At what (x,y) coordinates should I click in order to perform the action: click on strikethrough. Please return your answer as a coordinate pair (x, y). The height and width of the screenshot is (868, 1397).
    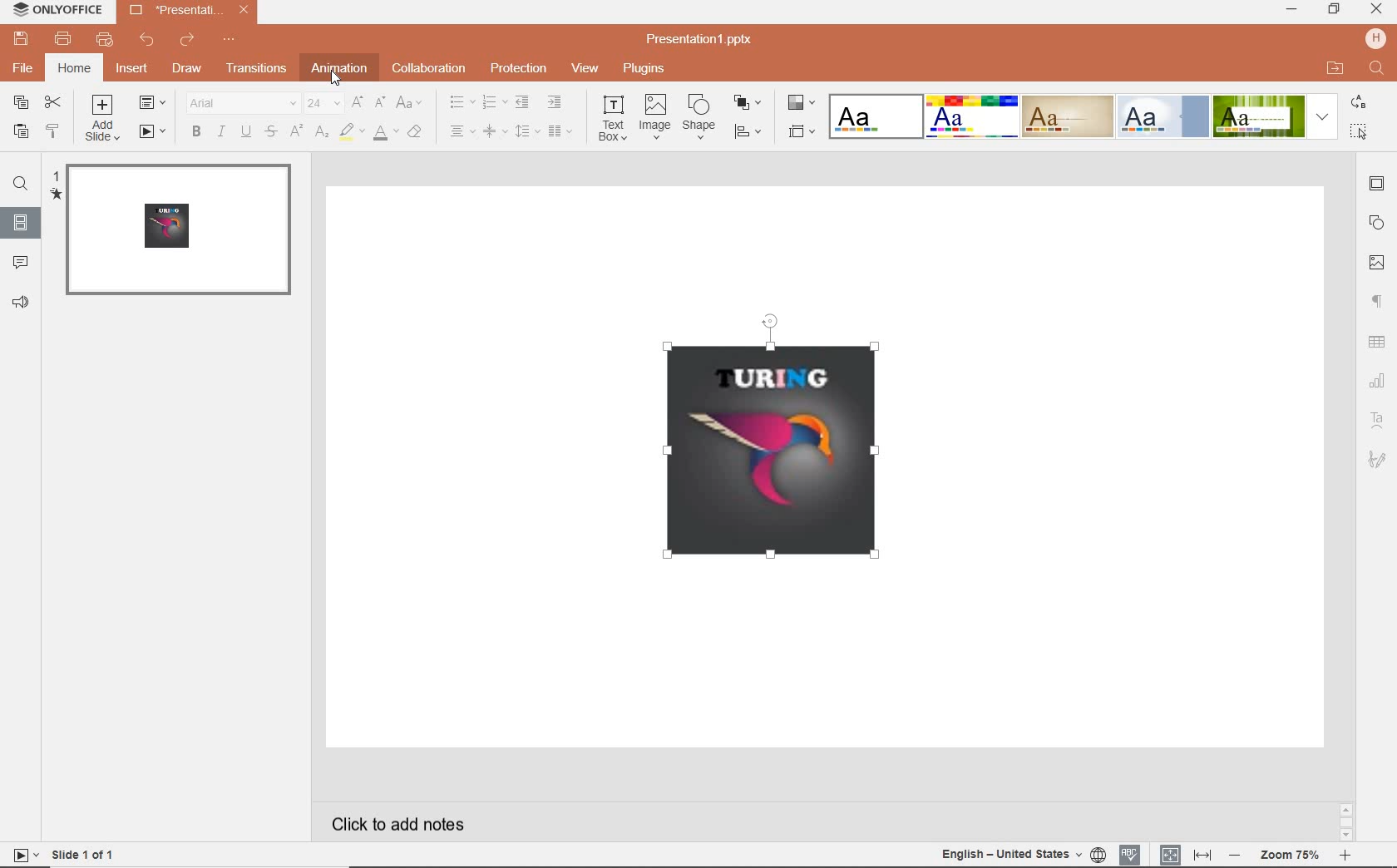
    Looking at the image, I should click on (269, 132).